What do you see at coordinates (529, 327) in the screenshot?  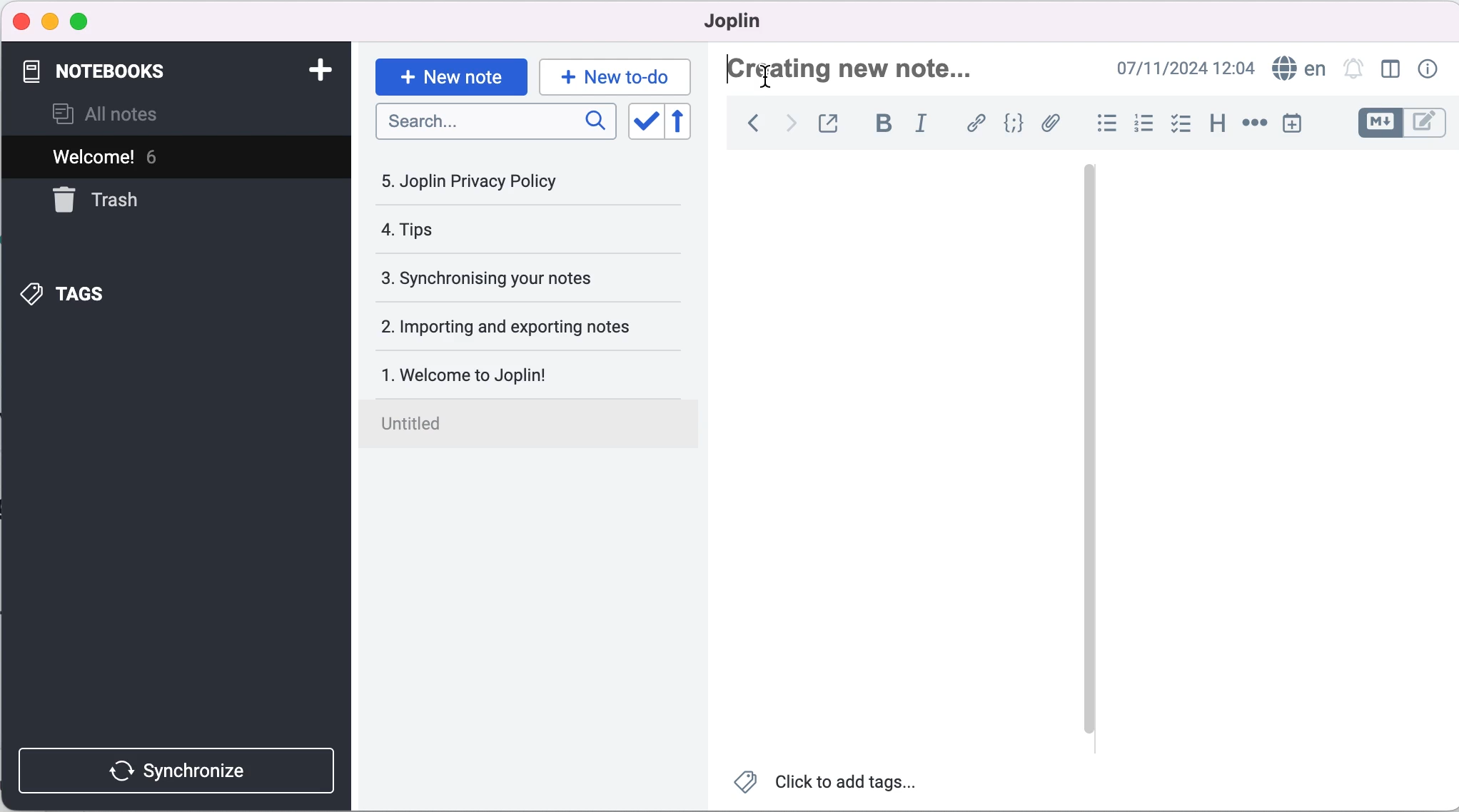 I see `importing and exporting notes` at bounding box center [529, 327].